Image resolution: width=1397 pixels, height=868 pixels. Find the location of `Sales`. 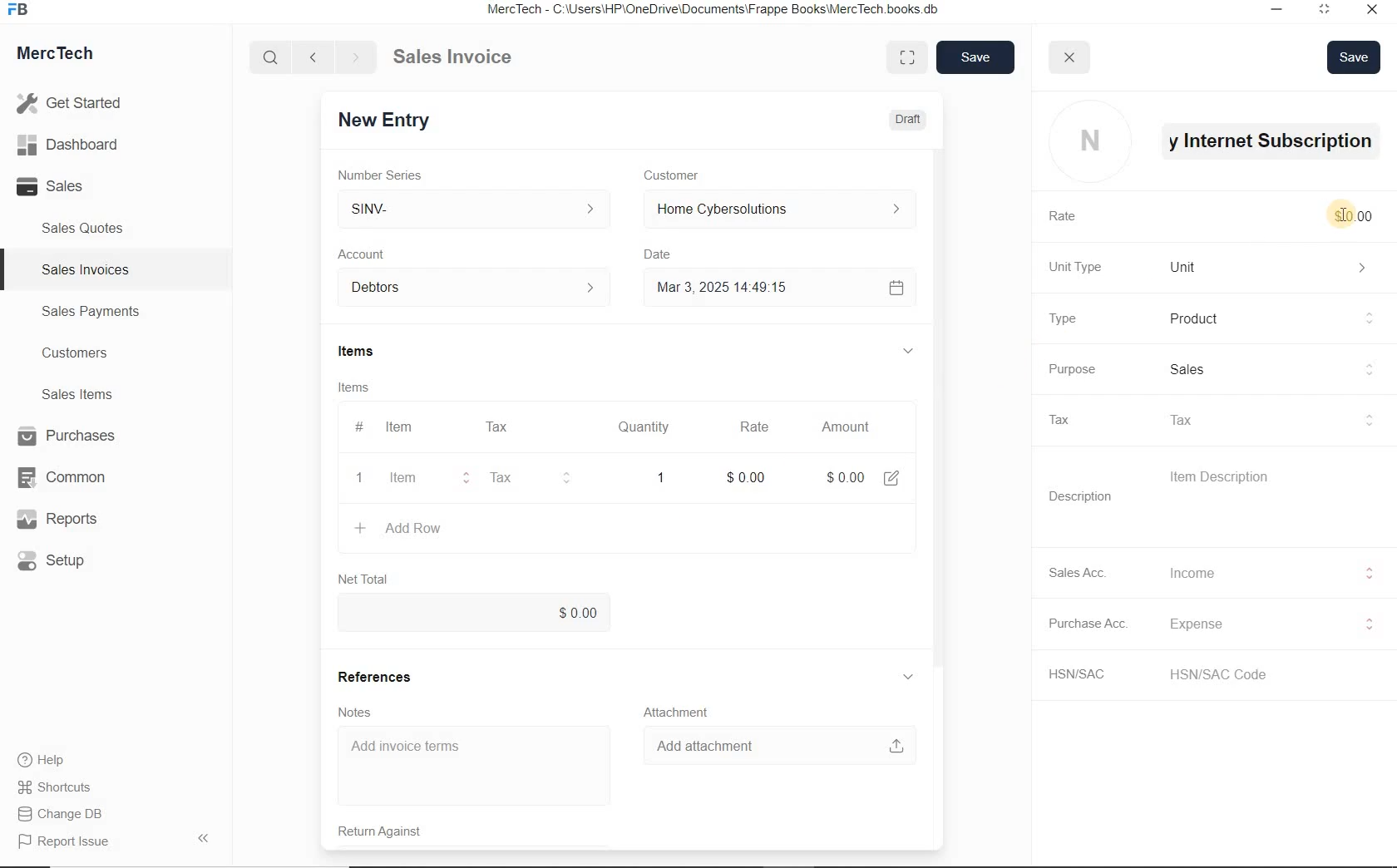

Sales is located at coordinates (75, 186).